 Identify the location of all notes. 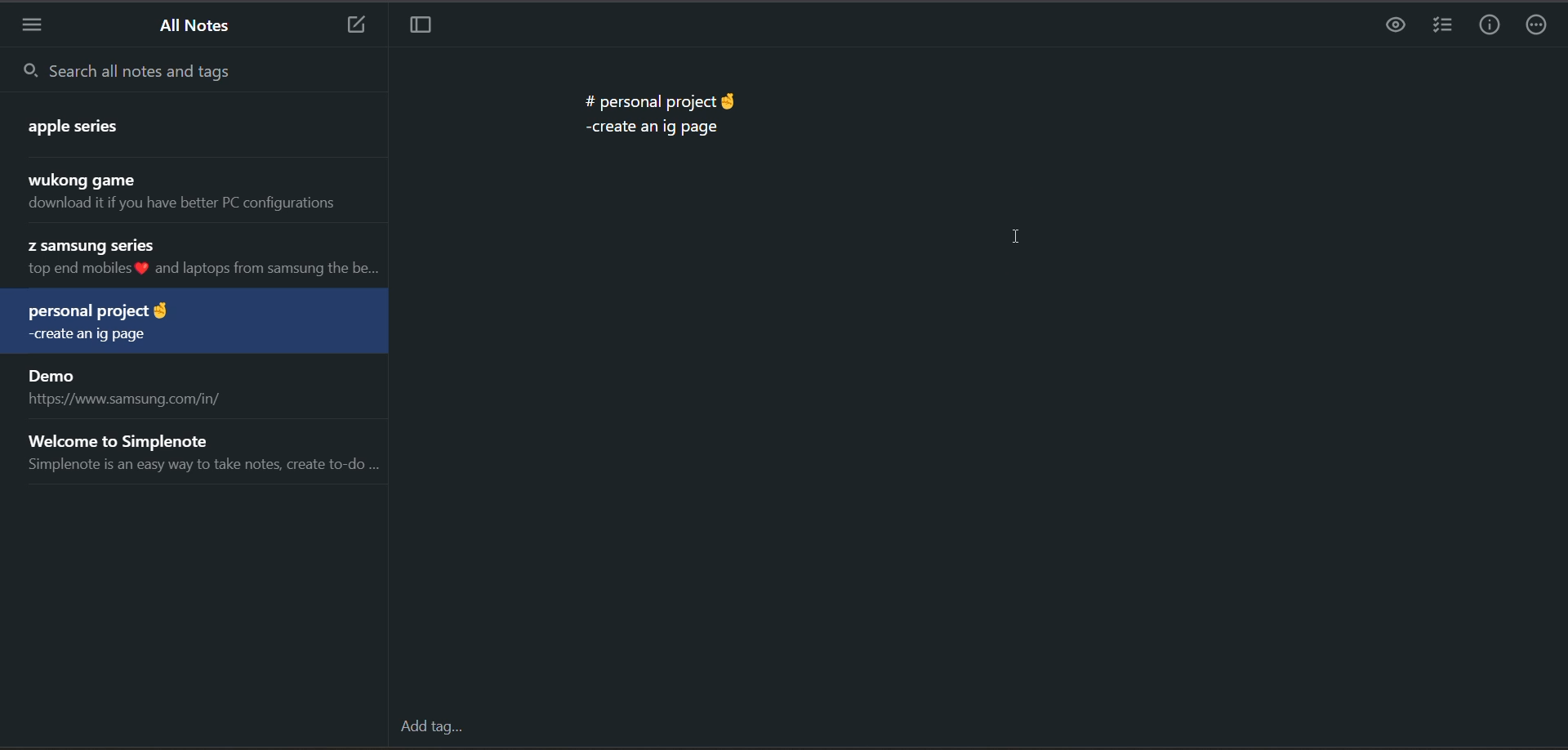
(190, 27).